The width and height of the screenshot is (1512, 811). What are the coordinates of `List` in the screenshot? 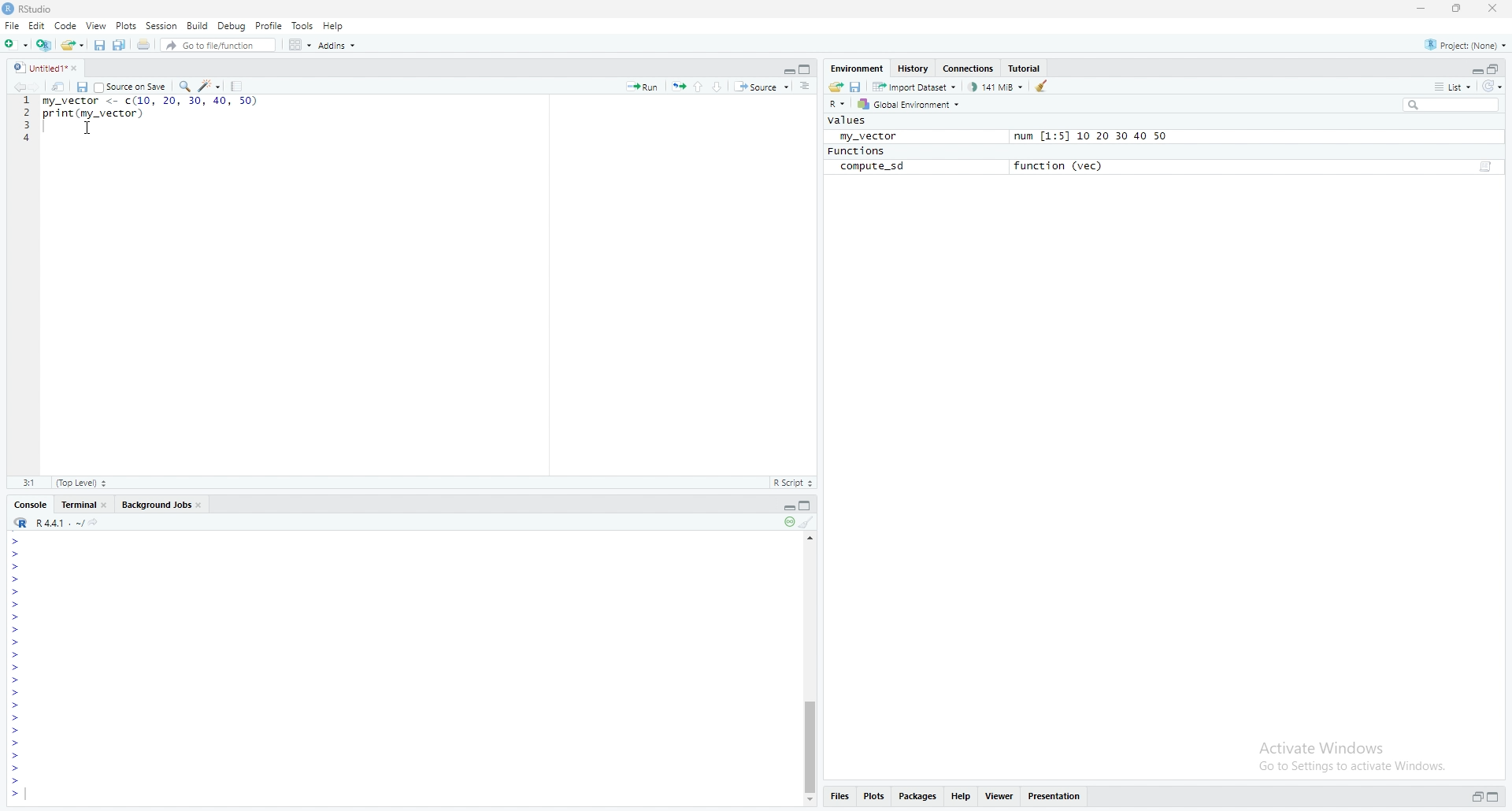 It's located at (1451, 86).